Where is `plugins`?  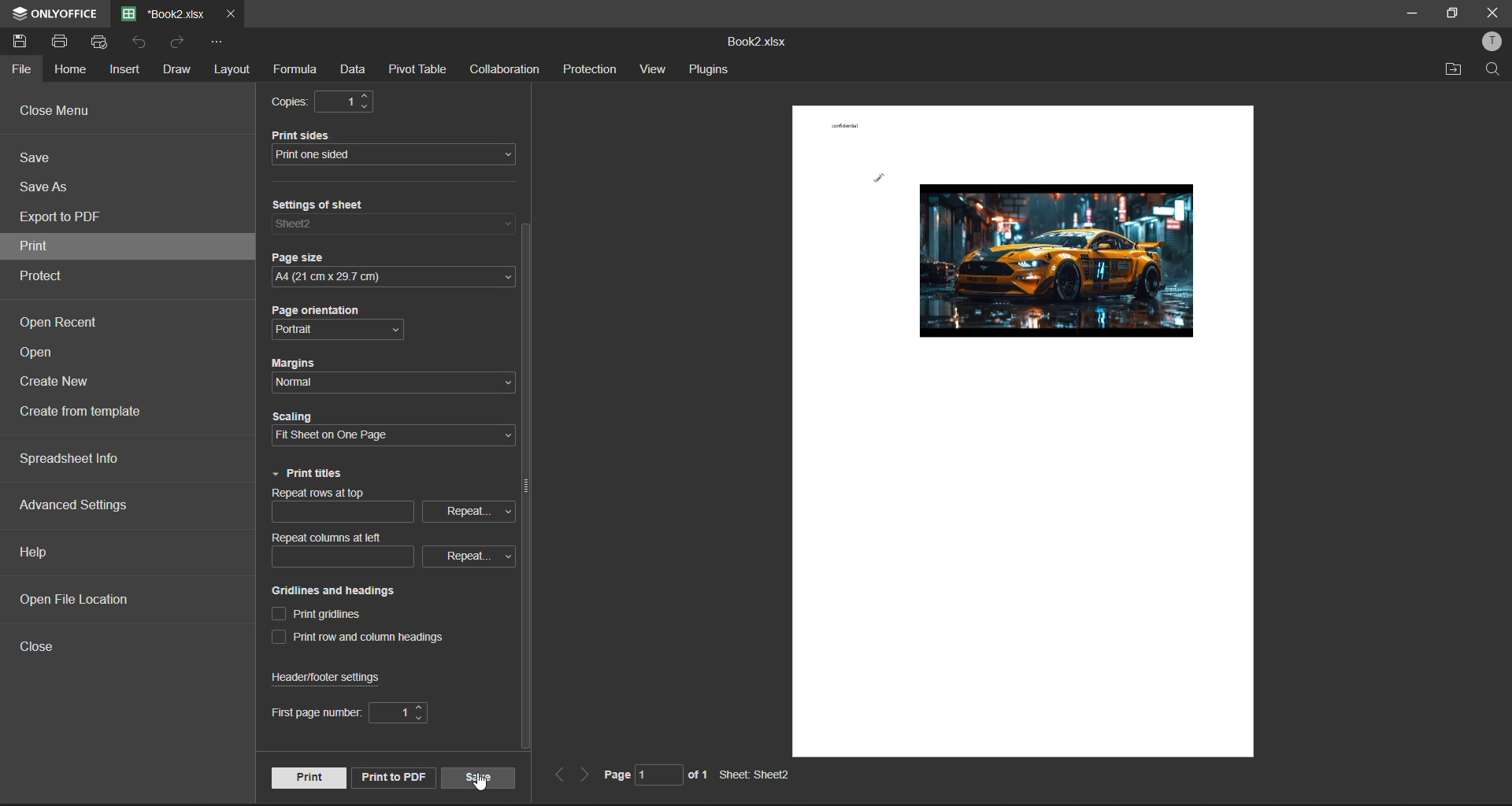 plugins is located at coordinates (708, 72).